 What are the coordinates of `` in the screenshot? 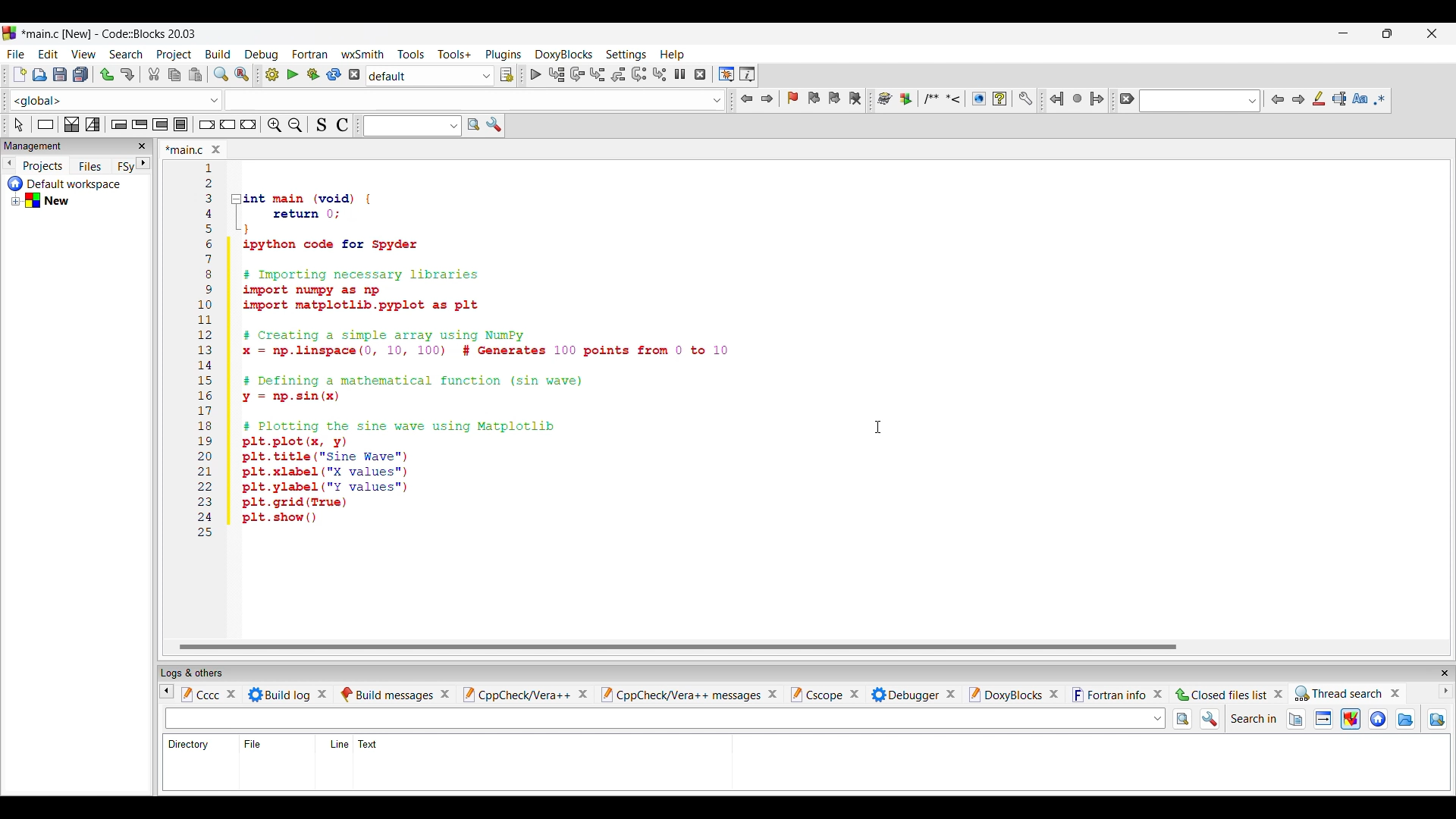 It's located at (689, 692).